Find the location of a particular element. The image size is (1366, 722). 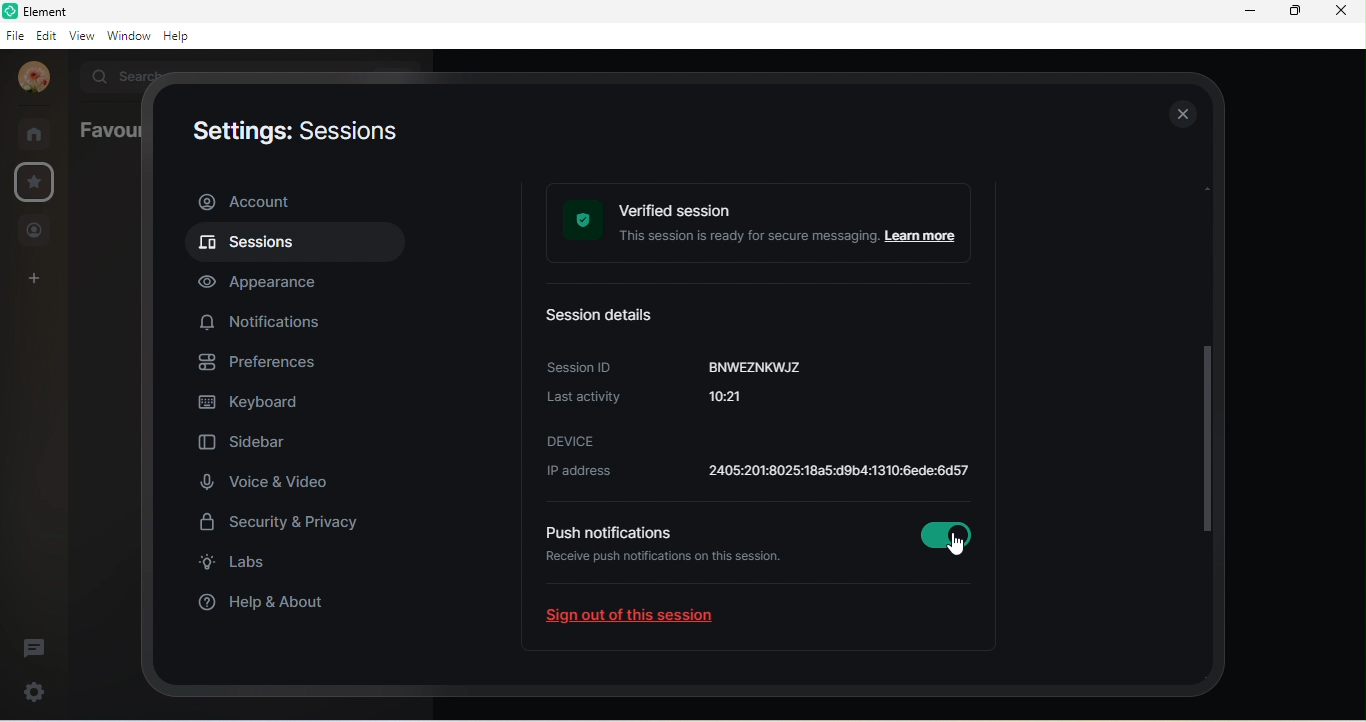

element logo is located at coordinates (10, 11).